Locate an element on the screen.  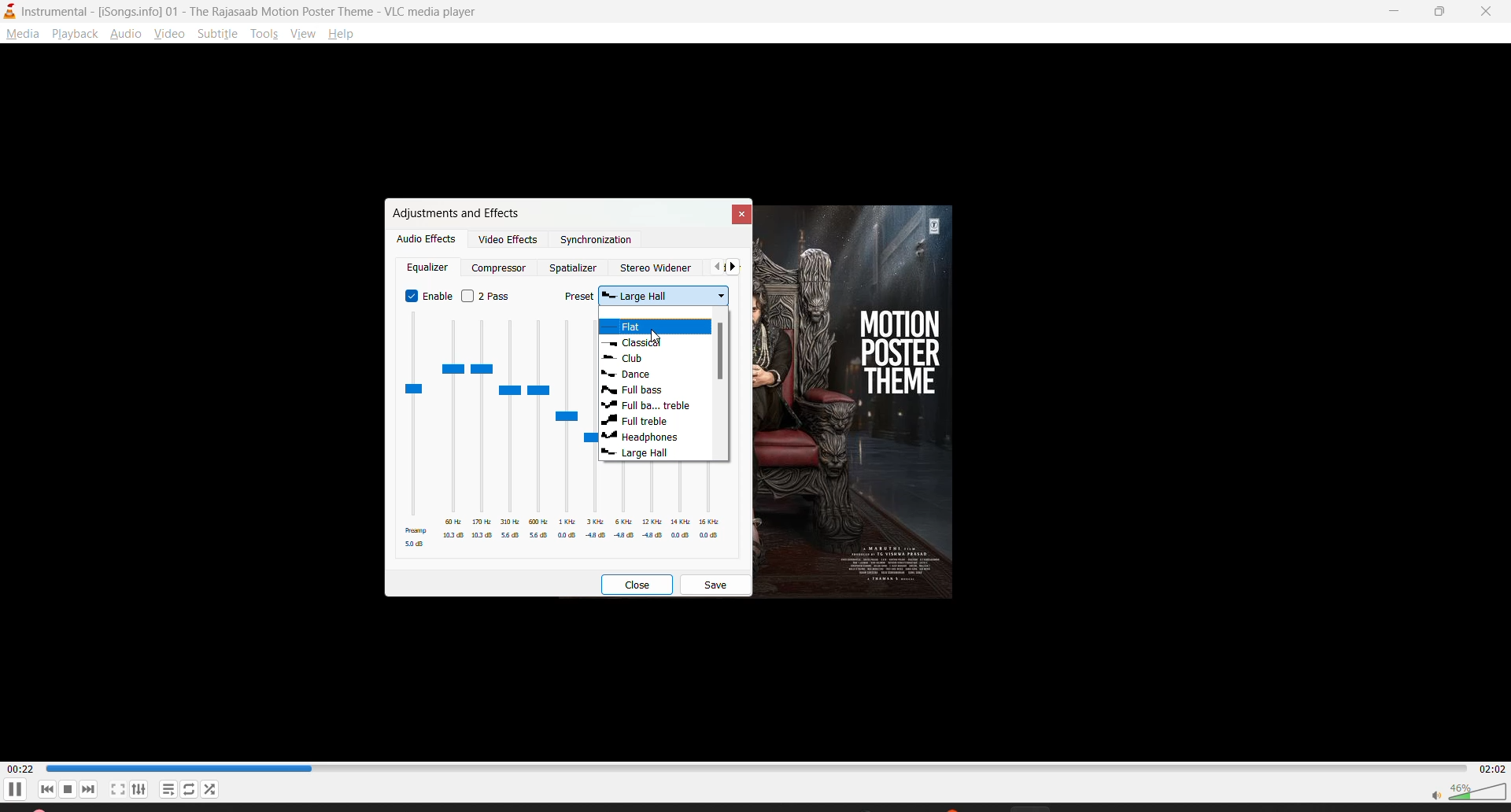
fullscreen is located at coordinates (118, 789).